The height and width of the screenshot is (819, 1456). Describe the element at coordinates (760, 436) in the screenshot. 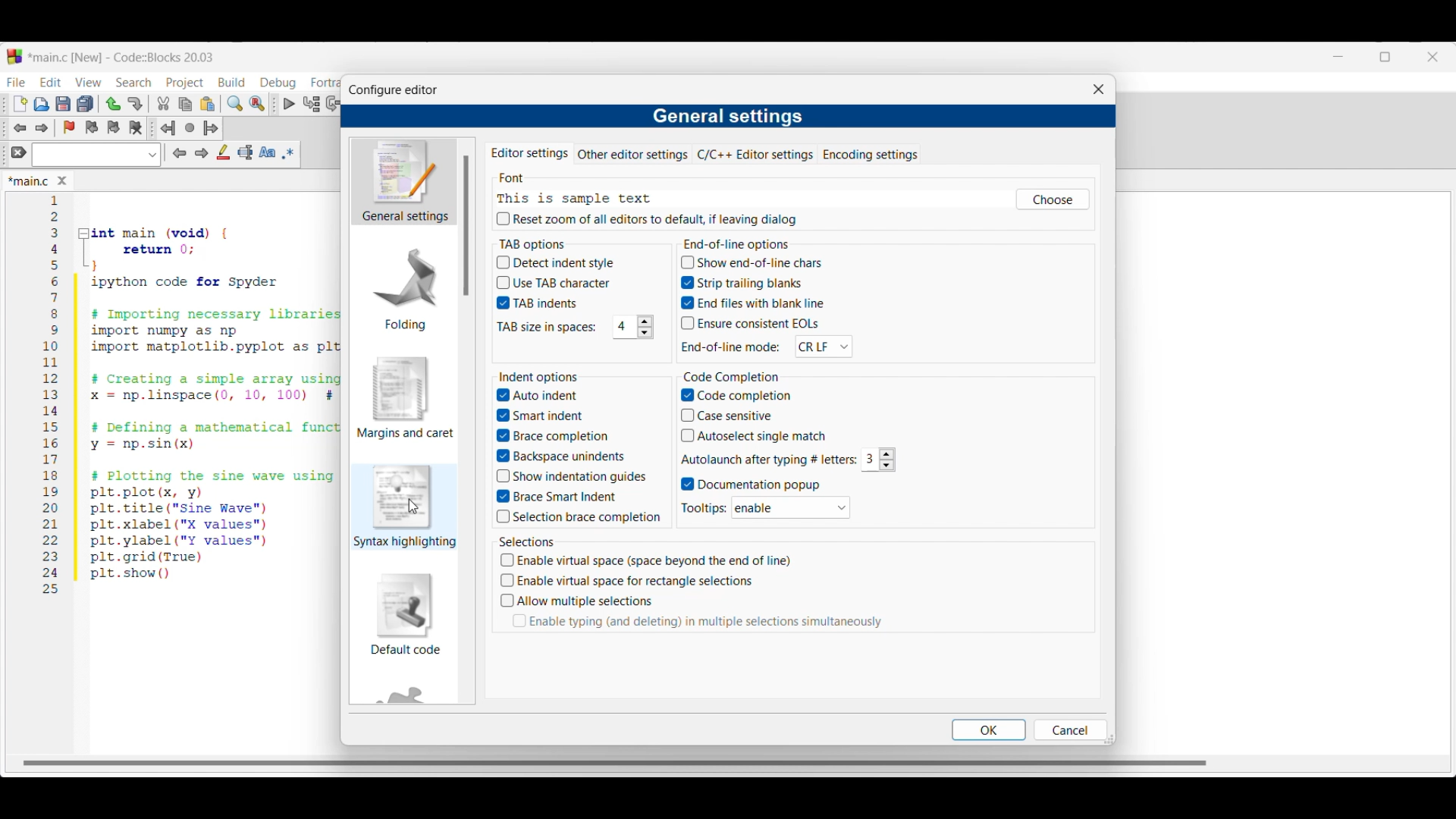

I see `Autoselect single match` at that location.